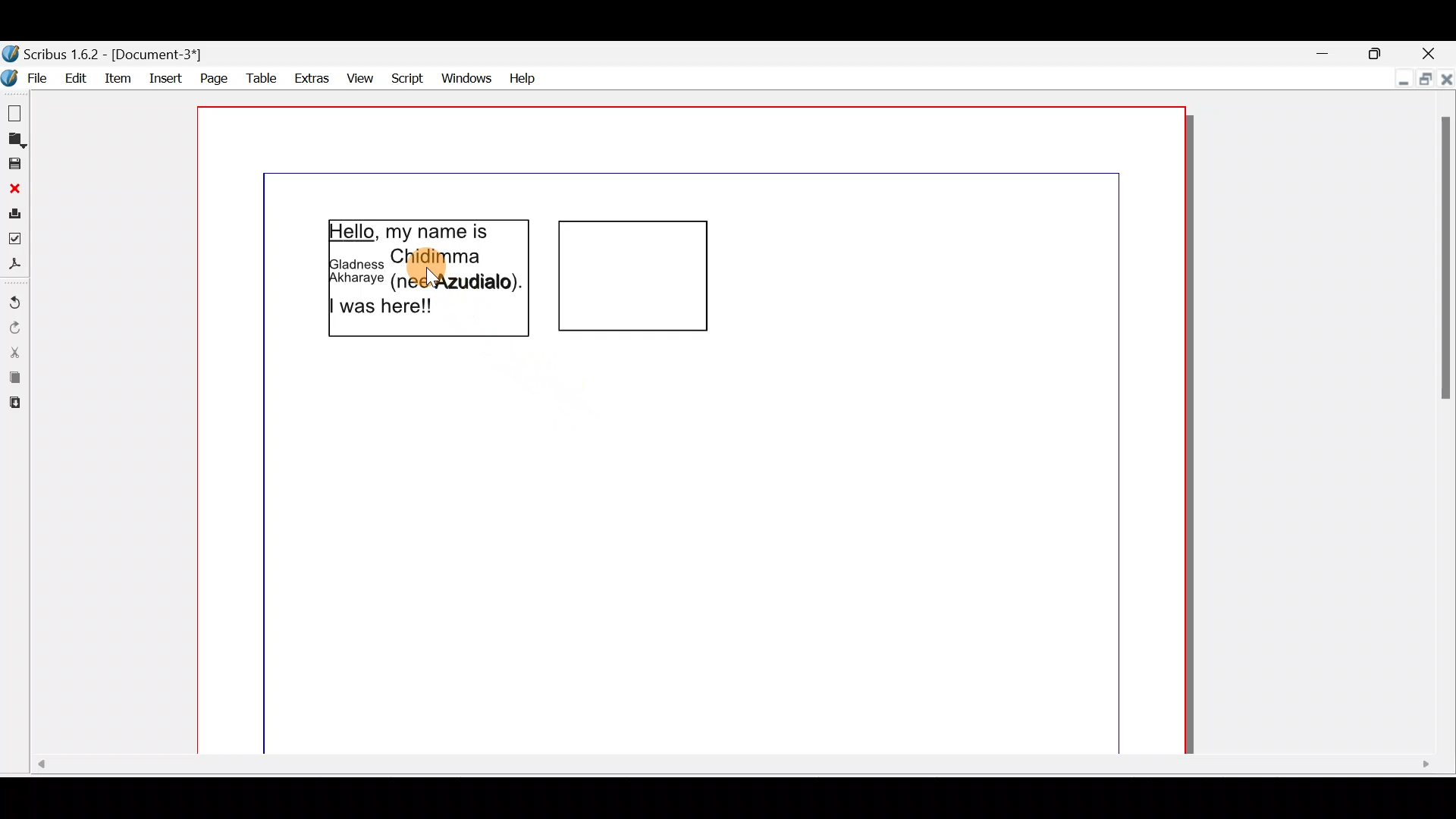 The width and height of the screenshot is (1456, 819). What do you see at coordinates (15, 237) in the screenshot?
I see `Preflight verifier` at bounding box center [15, 237].